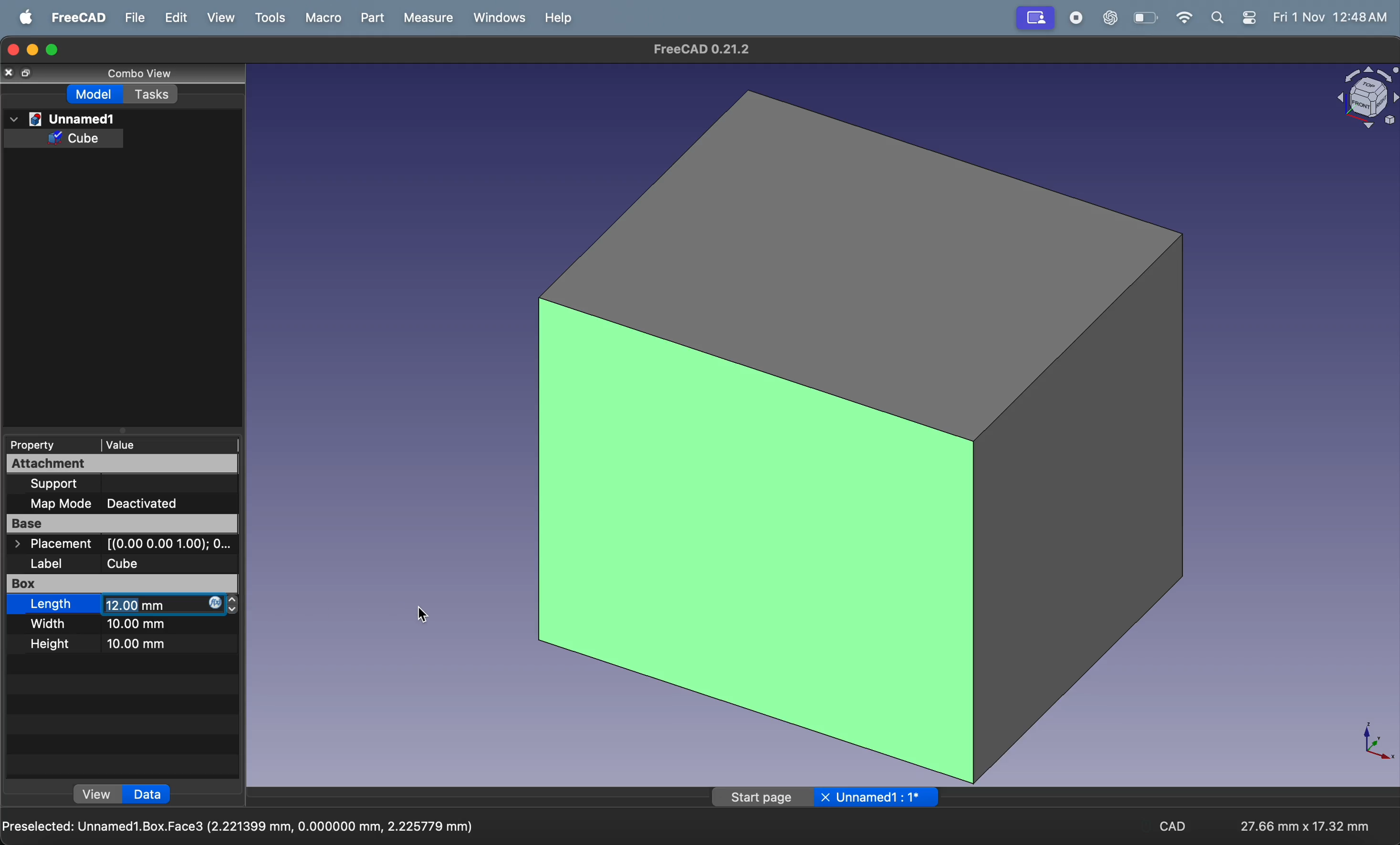  What do you see at coordinates (63, 504) in the screenshot?
I see `map mode` at bounding box center [63, 504].